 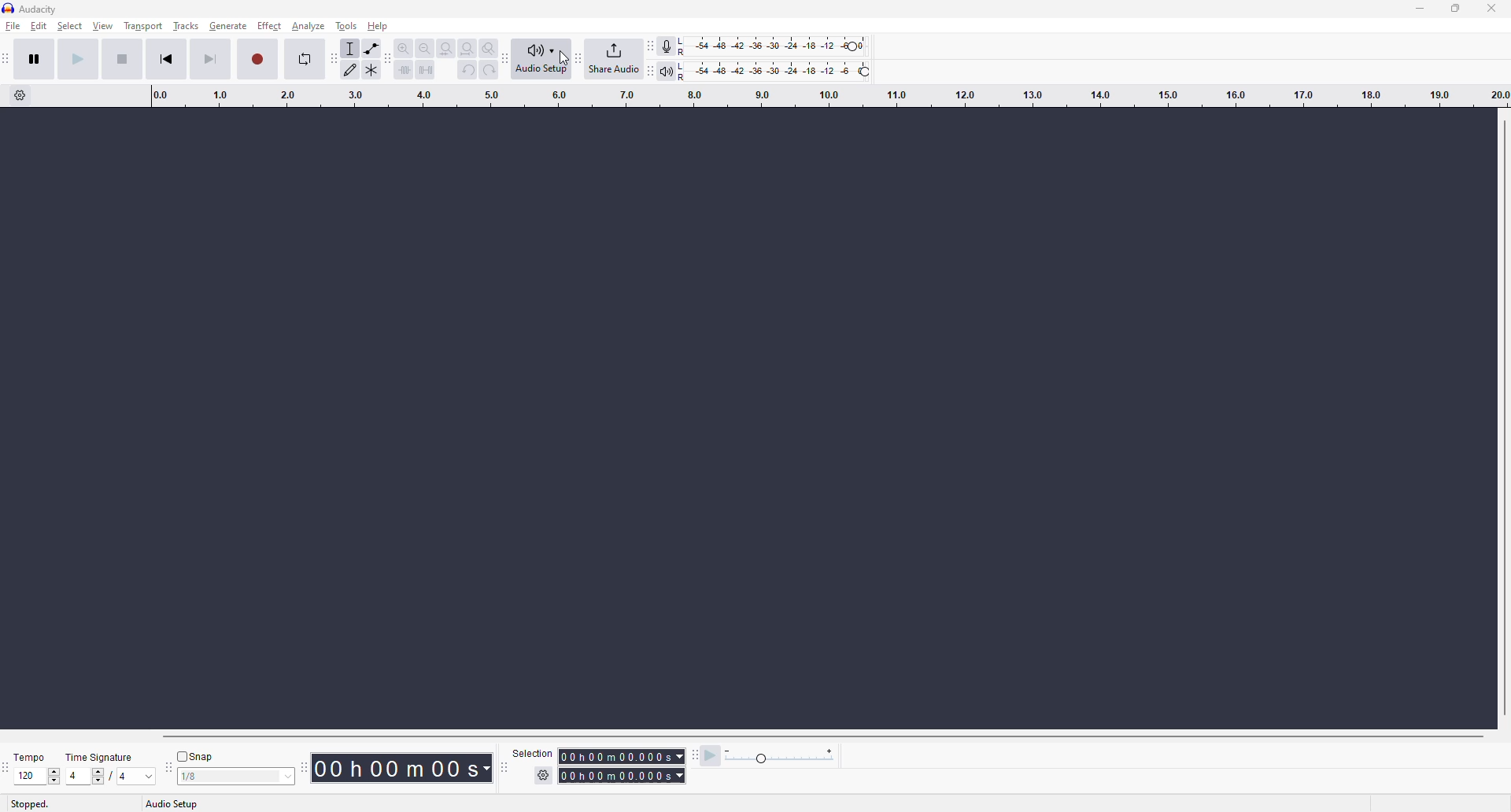 What do you see at coordinates (68, 28) in the screenshot?
I see `select` at bounding box center [68, 28].